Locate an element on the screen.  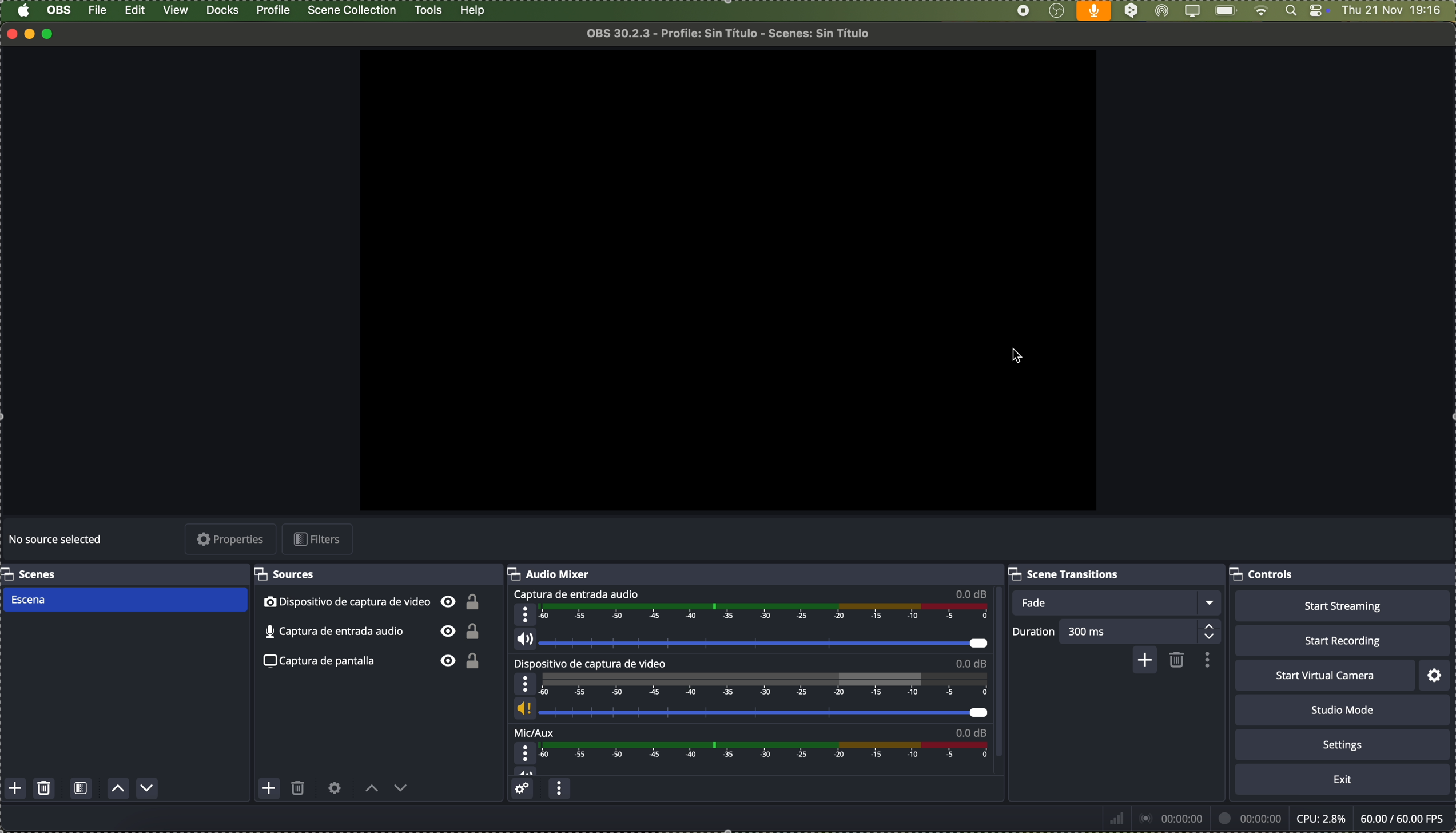
properties is located at coordinates (232, 540).